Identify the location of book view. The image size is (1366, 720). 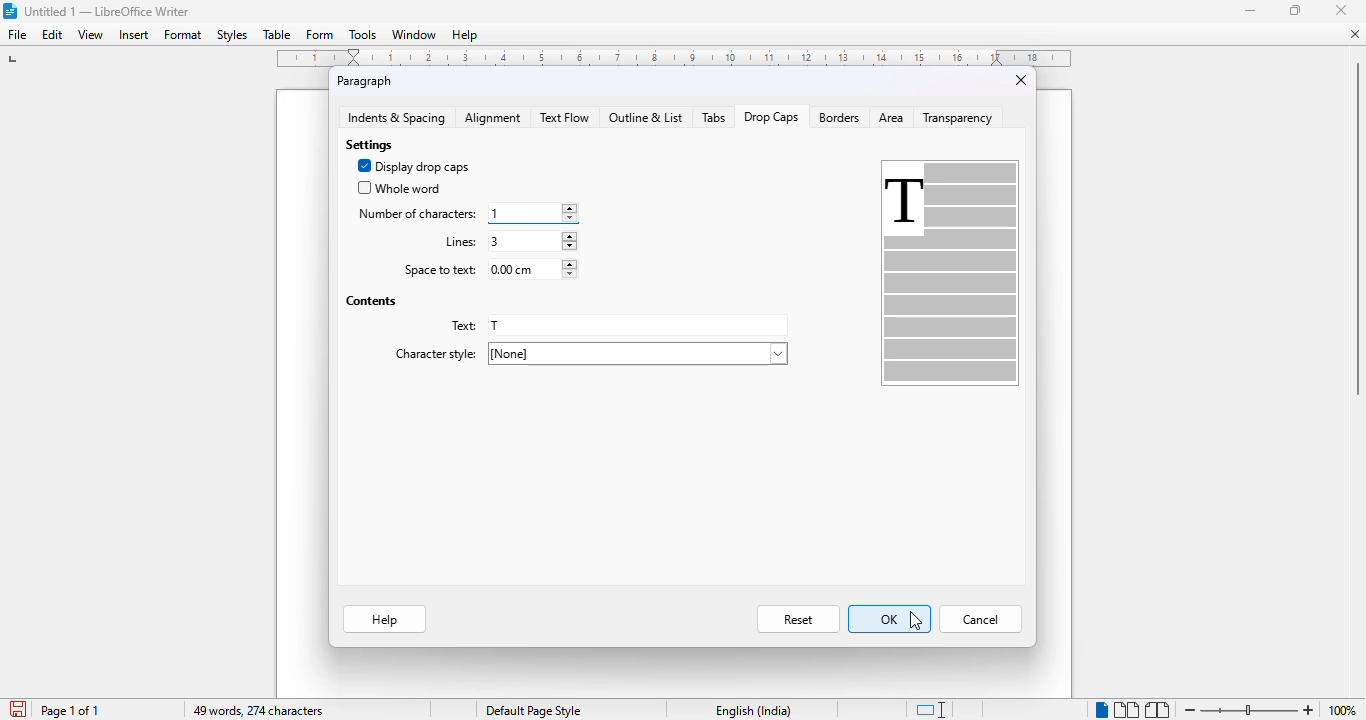
(1158, 710).